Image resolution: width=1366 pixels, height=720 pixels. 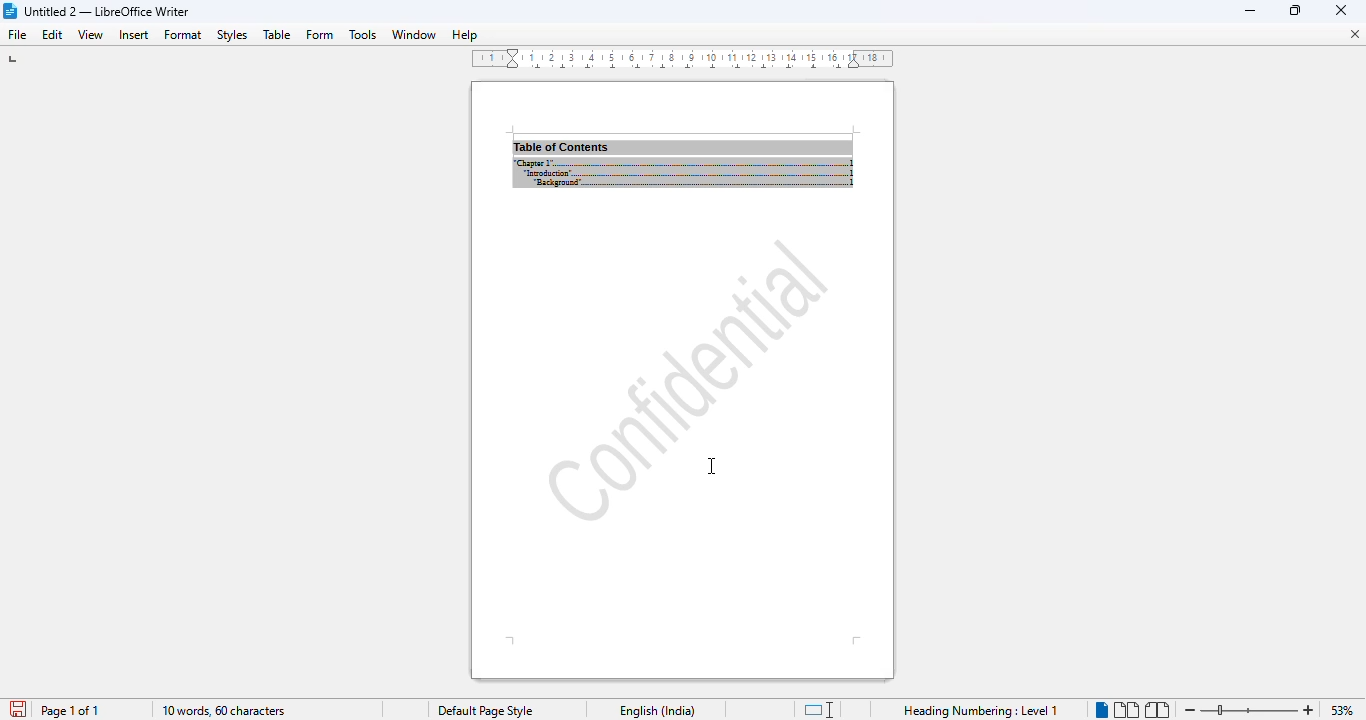 I want to click on page 1 of 1, so click(x=70, y=711).